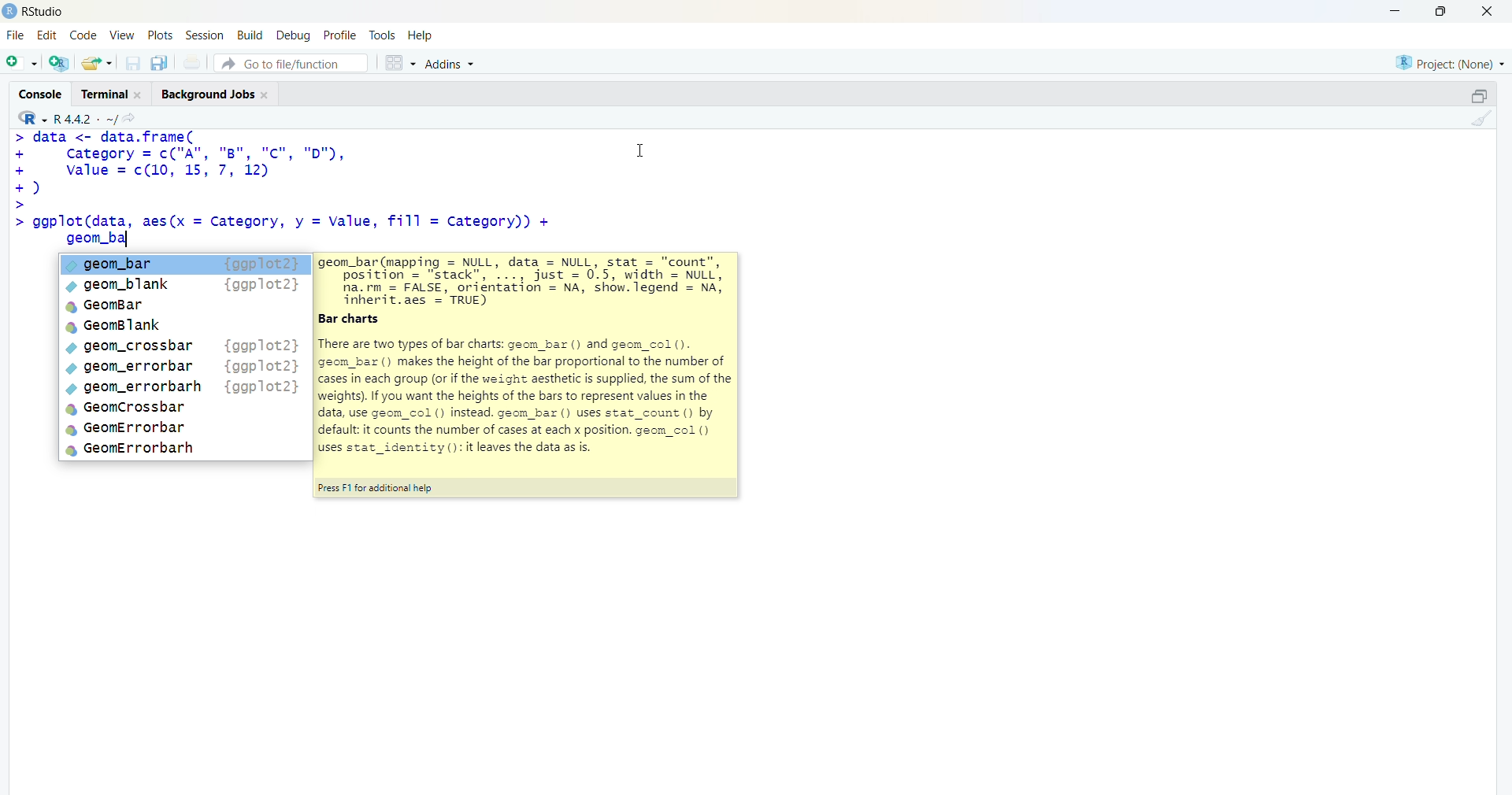 The width and height of the screenshot is (1512, 795). Describe the element at coordinates (339, 36) in the screenshot. I see `profile` at that location.